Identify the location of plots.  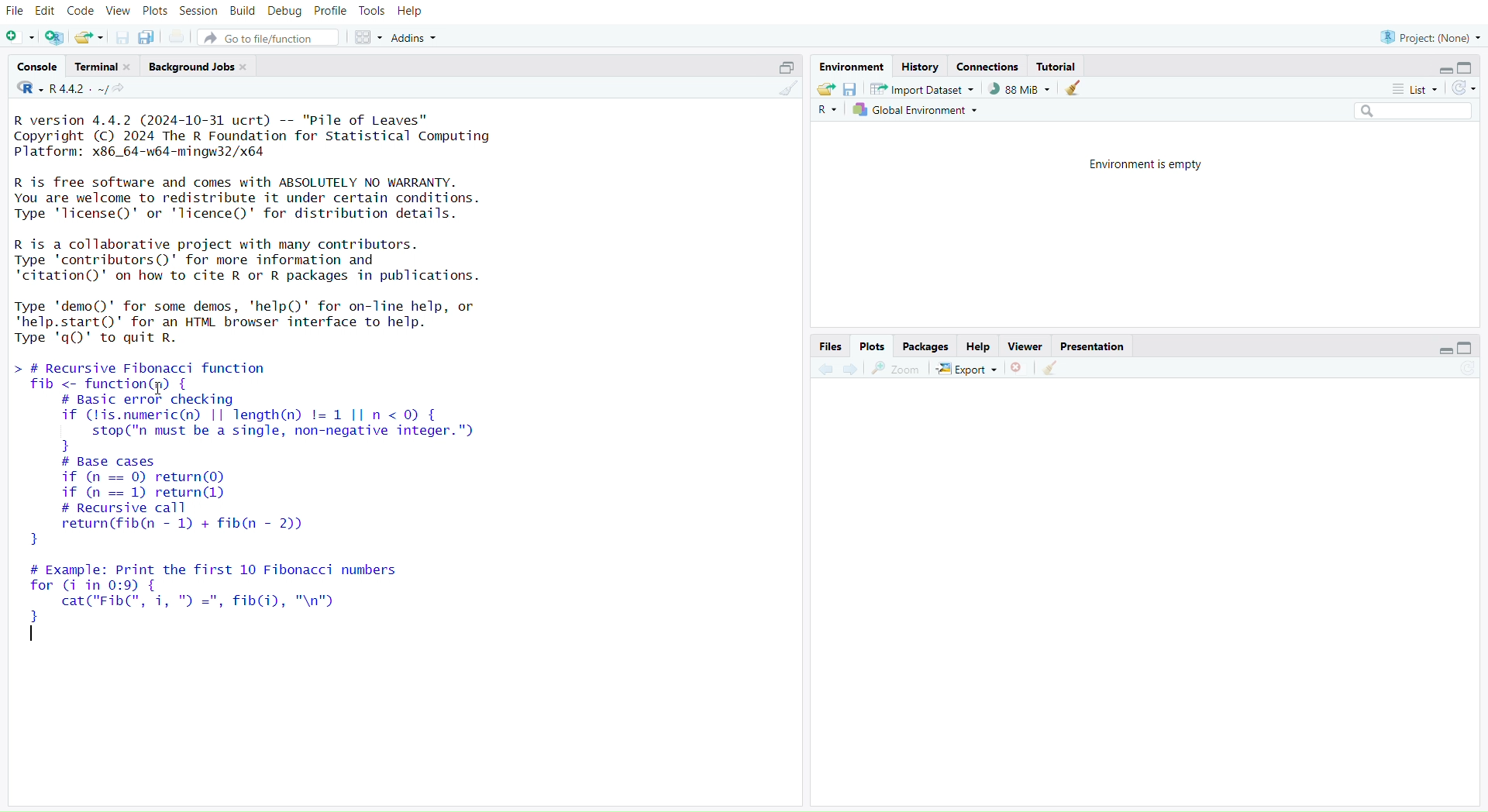
(873, 346).